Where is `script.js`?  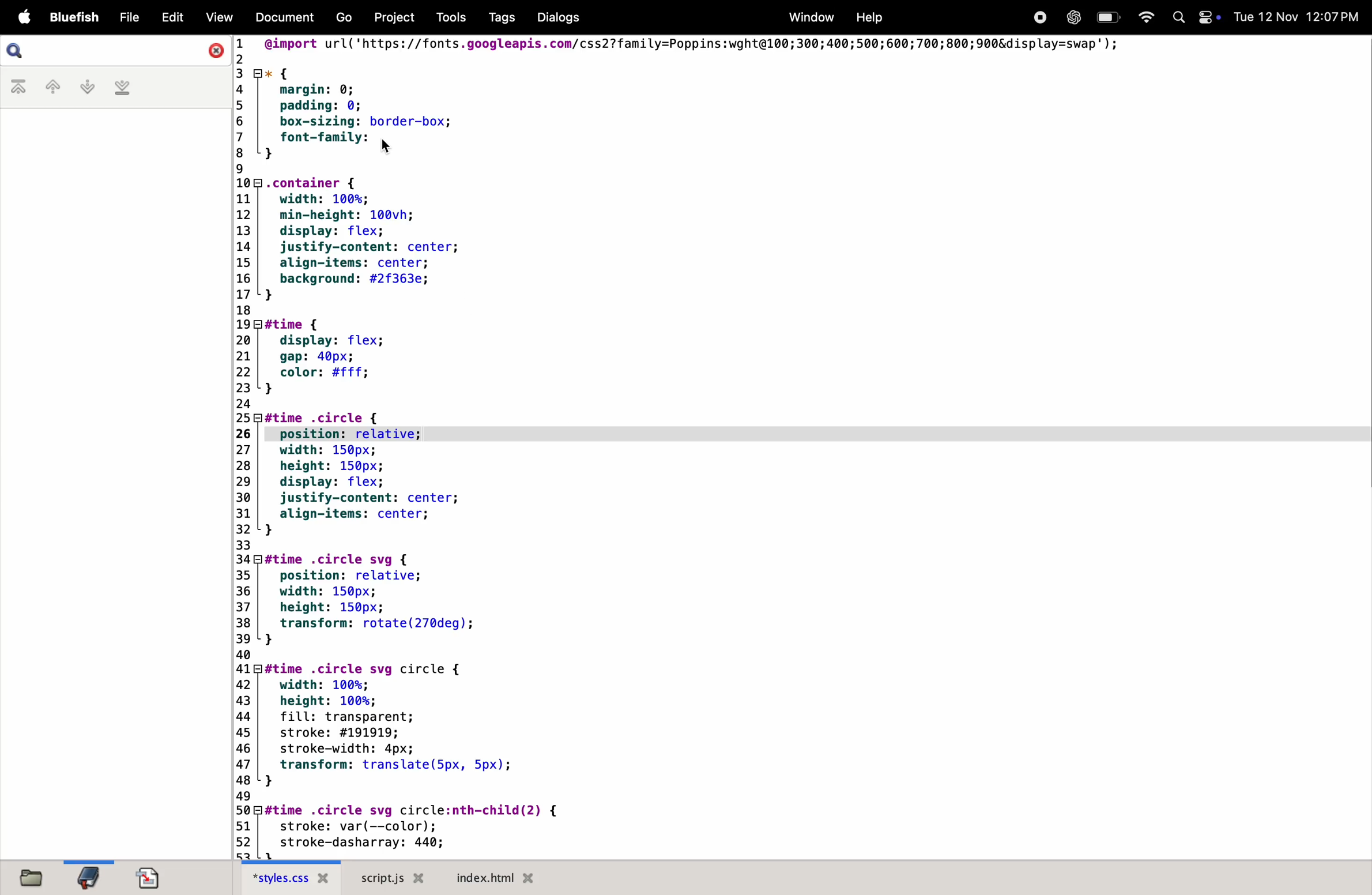
script.js is located at coordinates (395, 878).